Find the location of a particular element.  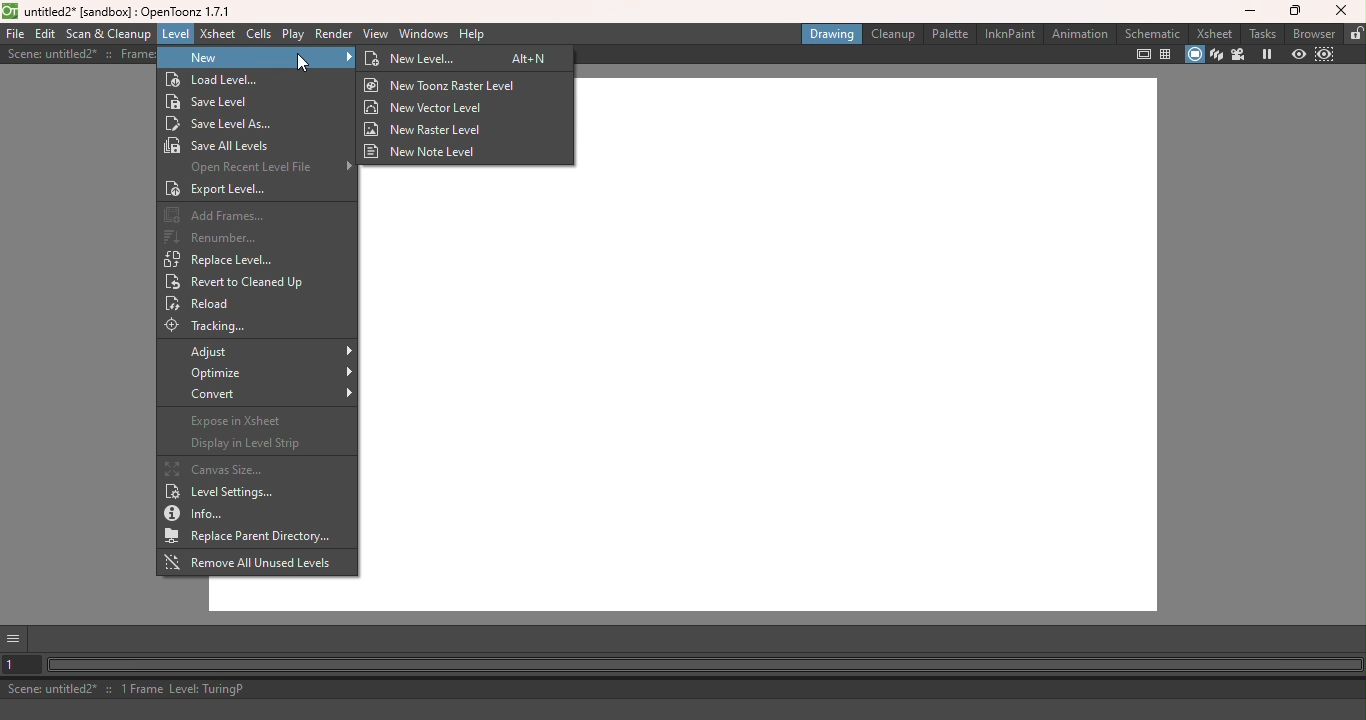

Preview is located at coordinates (1297, 55).